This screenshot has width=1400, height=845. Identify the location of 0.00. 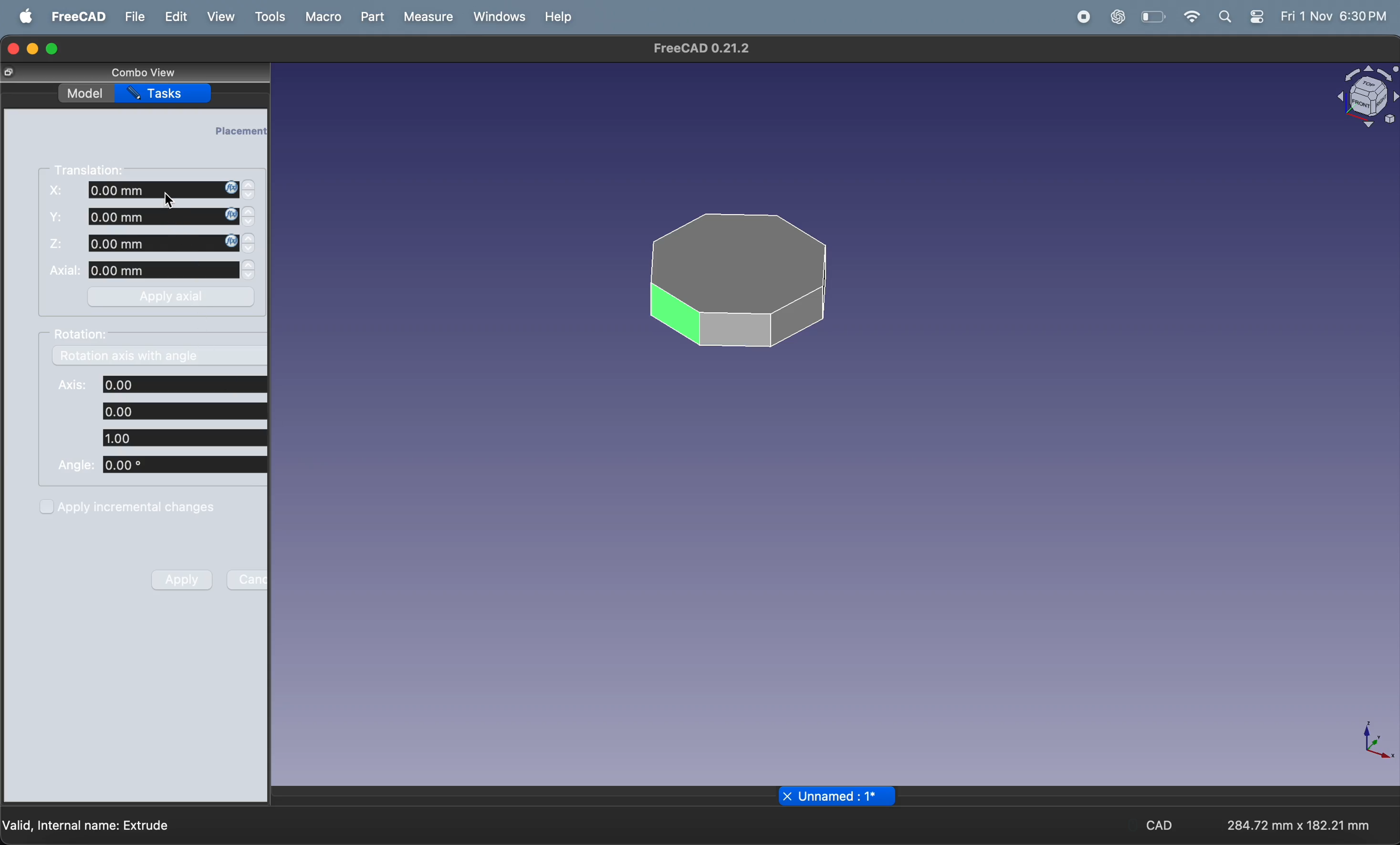
(182, 410).